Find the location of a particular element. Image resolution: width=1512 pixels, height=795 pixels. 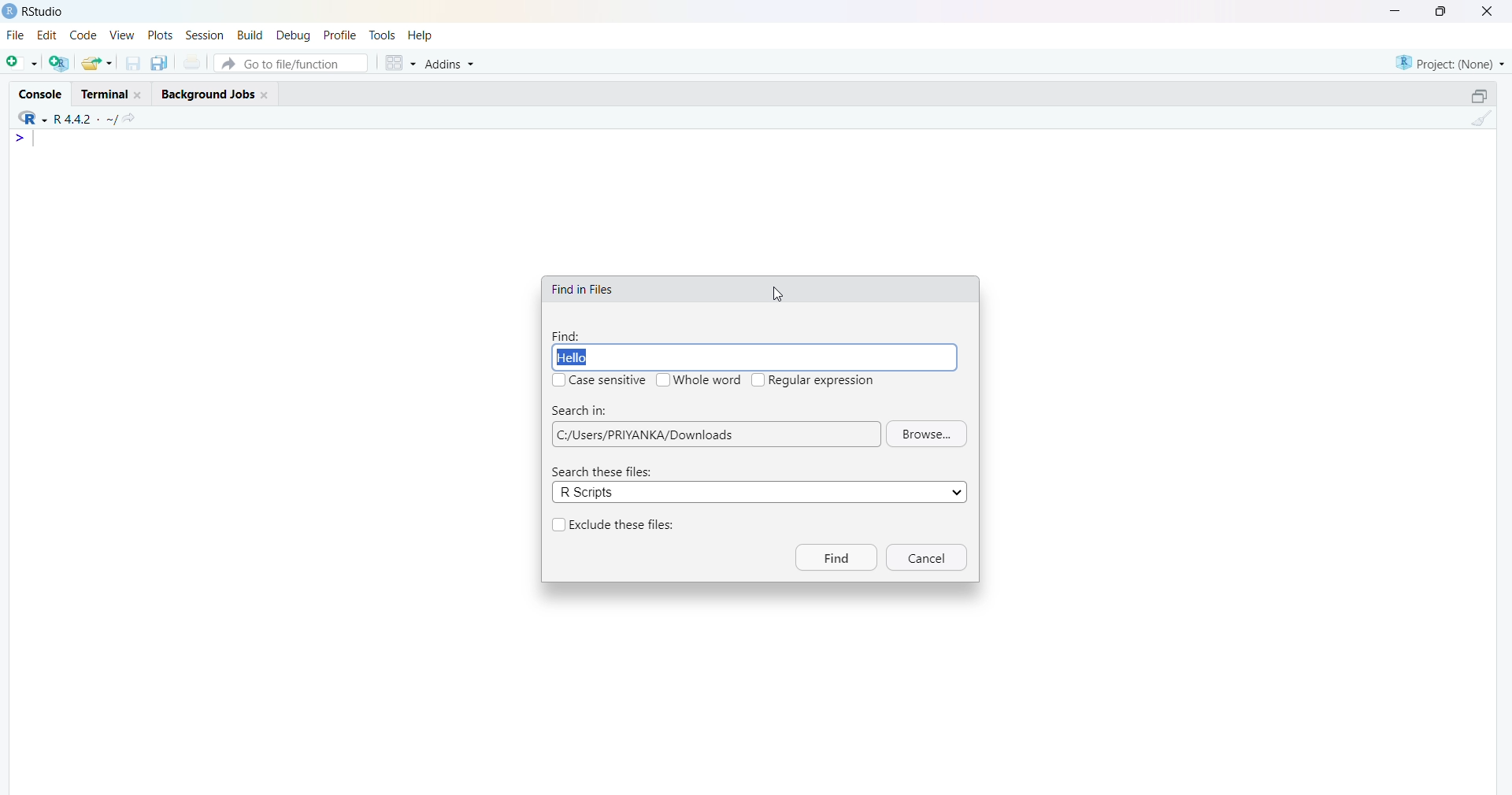

grid is located at coordinates (401, 63).